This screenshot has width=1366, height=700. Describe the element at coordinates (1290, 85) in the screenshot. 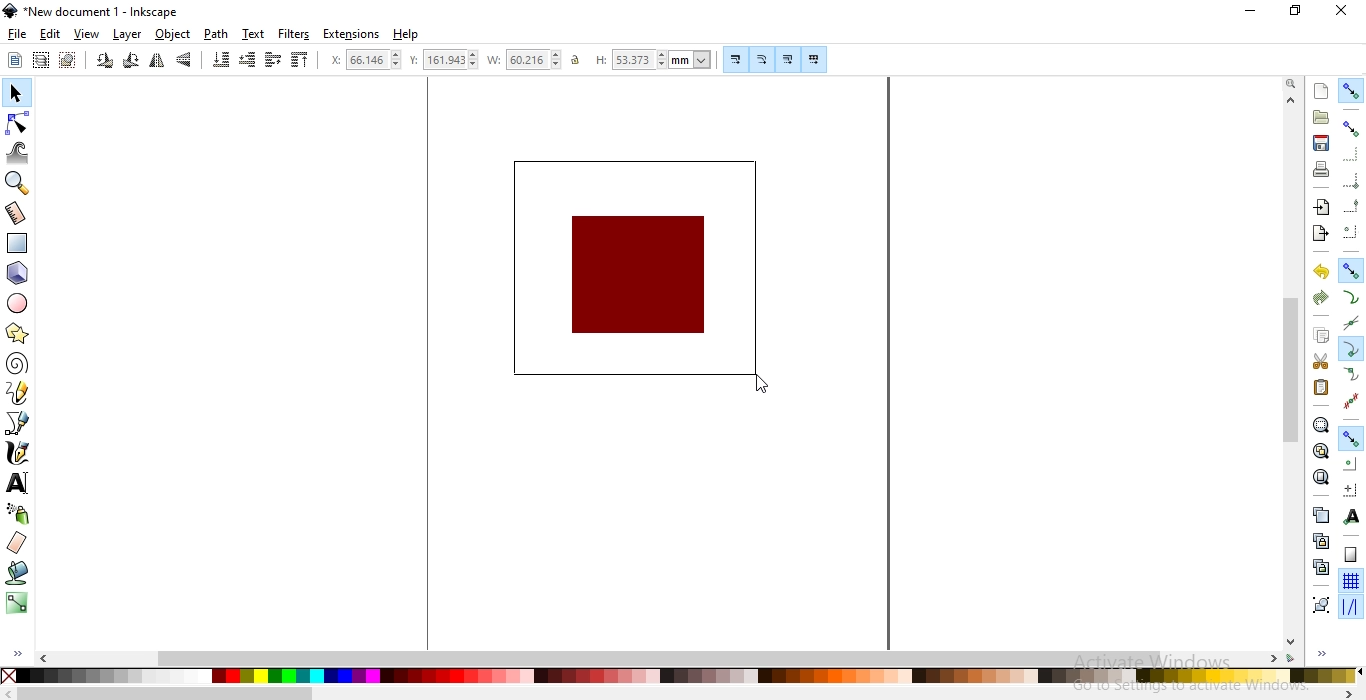

I see `zoom` at that location.